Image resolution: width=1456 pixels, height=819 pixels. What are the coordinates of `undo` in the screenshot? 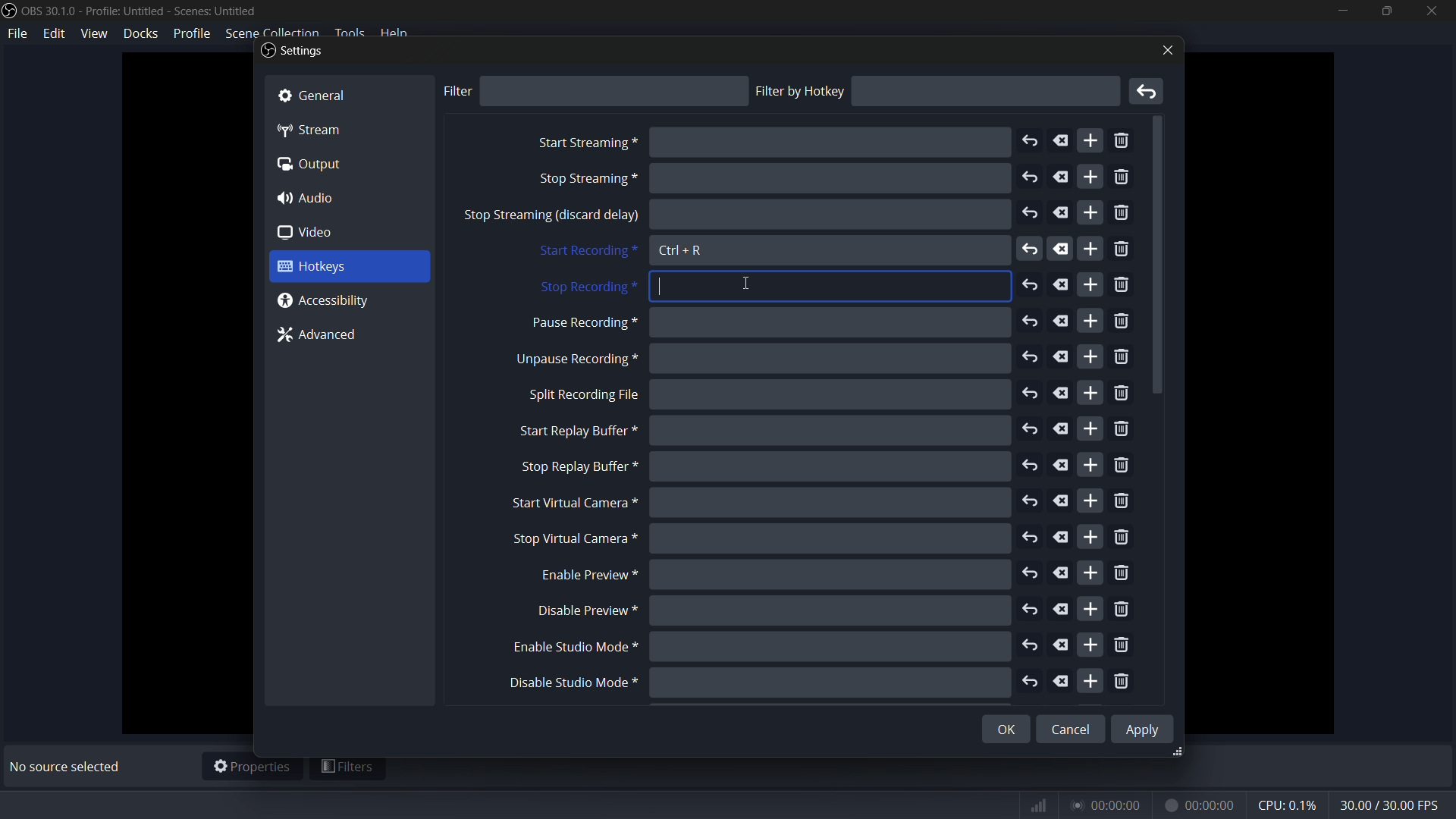 It's located at (1031, 358).